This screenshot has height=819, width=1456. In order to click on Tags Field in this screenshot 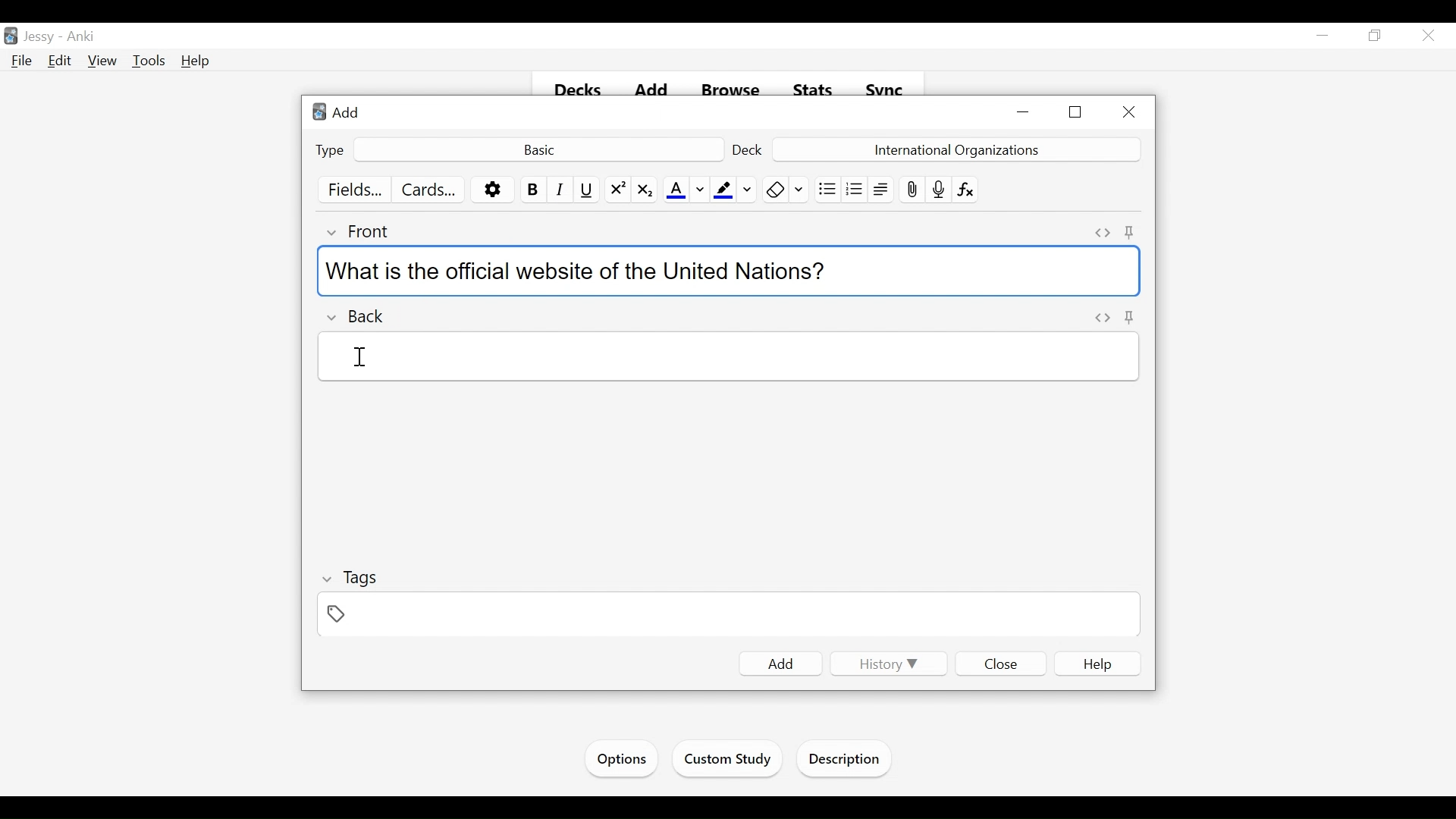, I will do `click(730, 617)`.